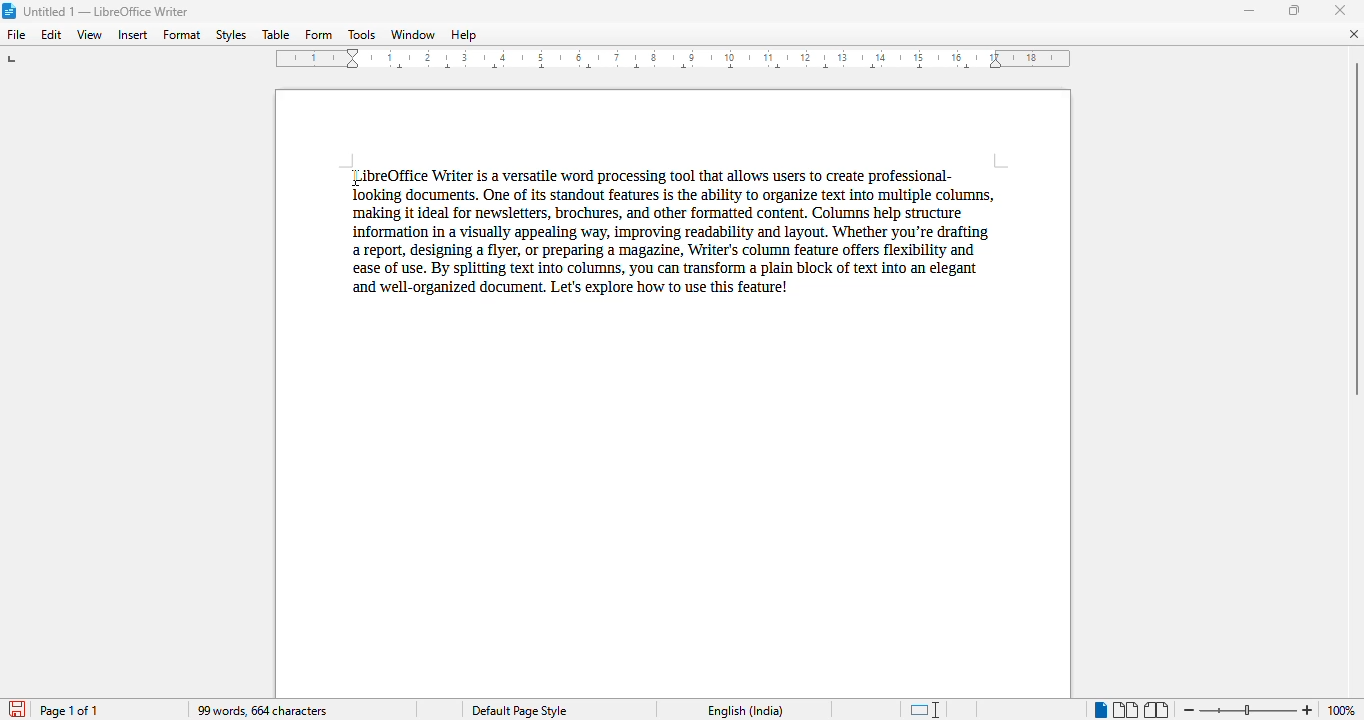  Describe the element at coordinates (318, 35) in the screenshot. I see `form` at that location.